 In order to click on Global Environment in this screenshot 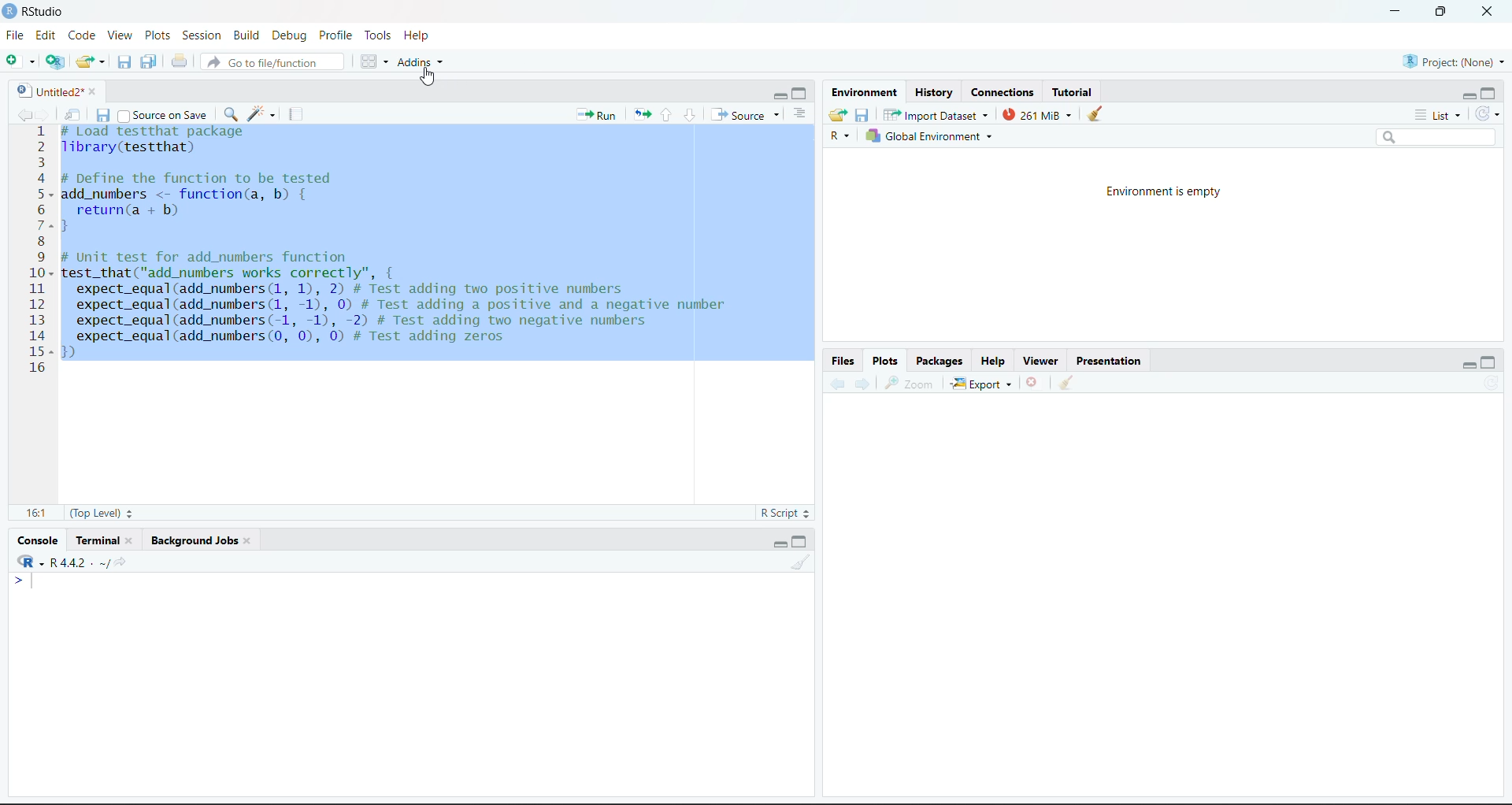, I will do `click(930, 135)`.